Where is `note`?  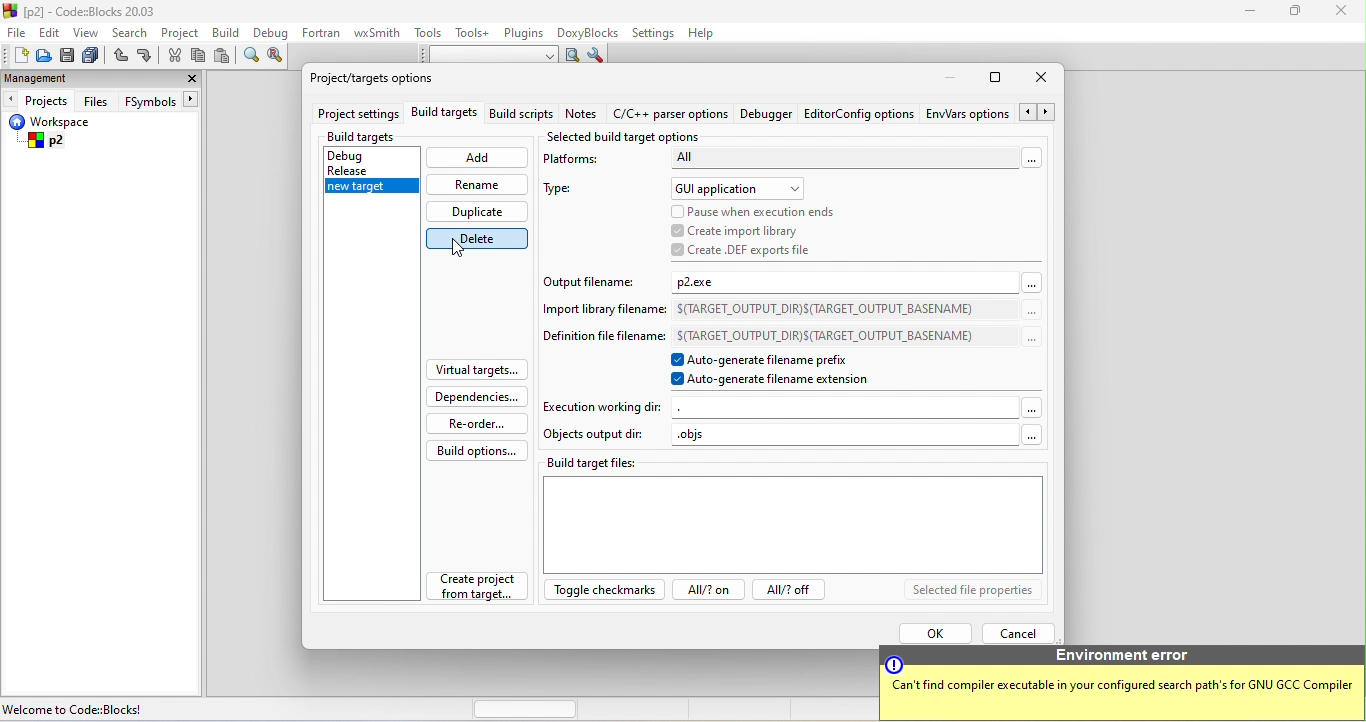 note is located at coordinates (583, 116).